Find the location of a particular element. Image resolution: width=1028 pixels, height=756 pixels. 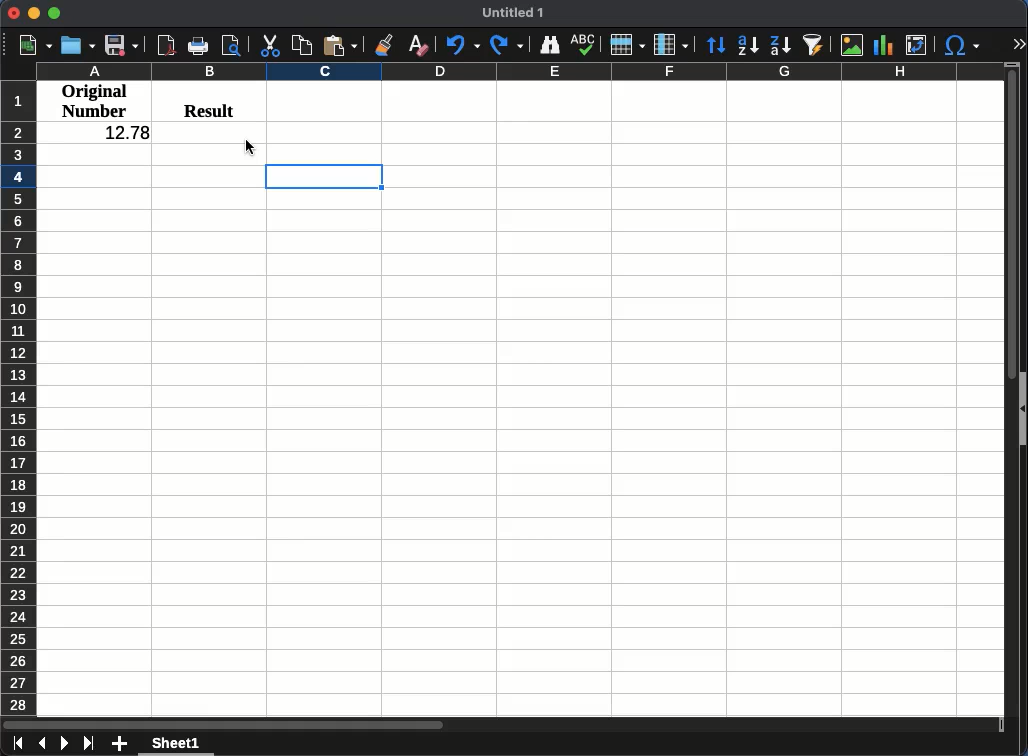

next sheet is located at coordinates (63, 746).